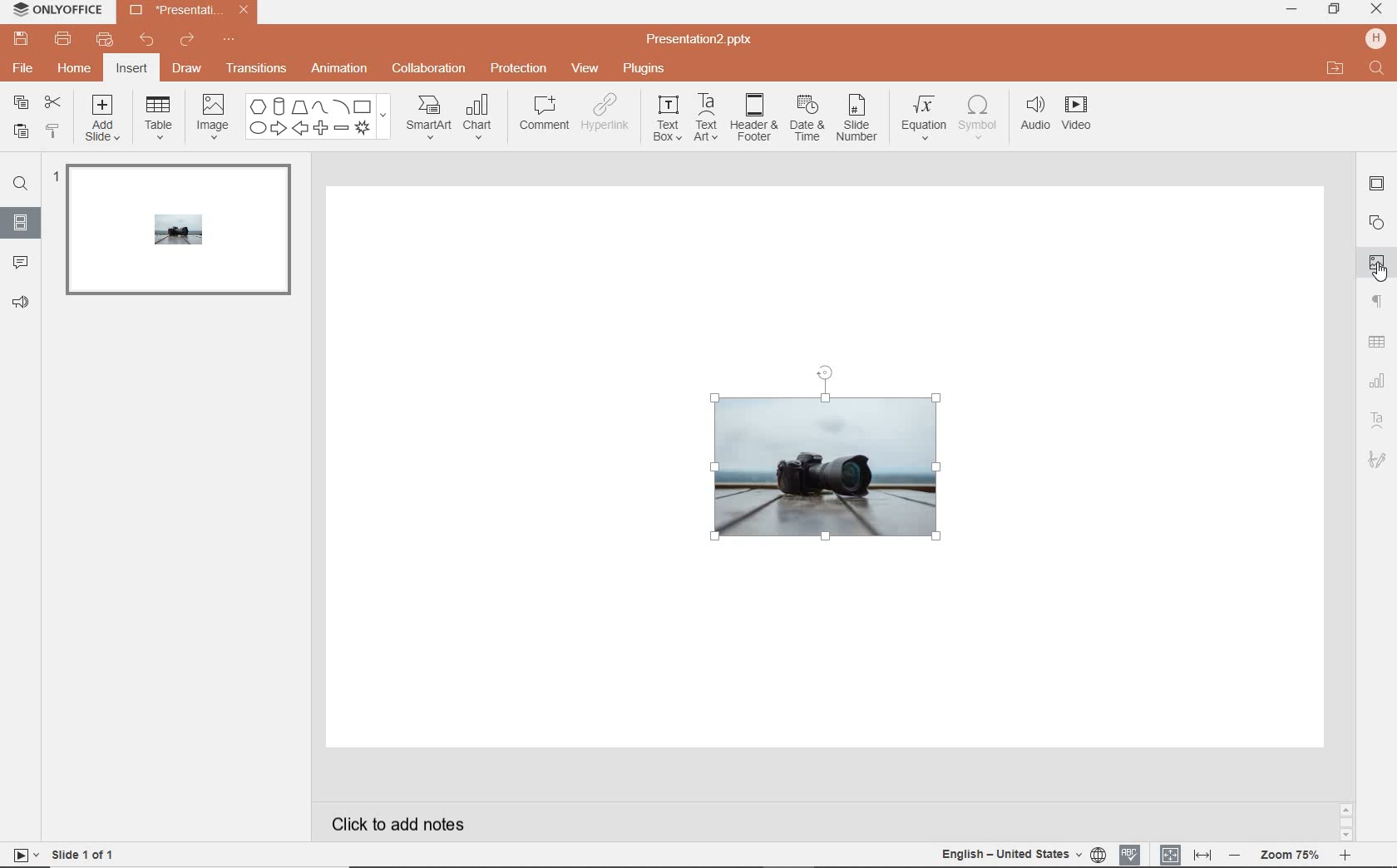 The width and height of the screenshot is (1397, 868). Describe the element at coordinates (106, 38) in the screenshot. I see `quick print` at that location.